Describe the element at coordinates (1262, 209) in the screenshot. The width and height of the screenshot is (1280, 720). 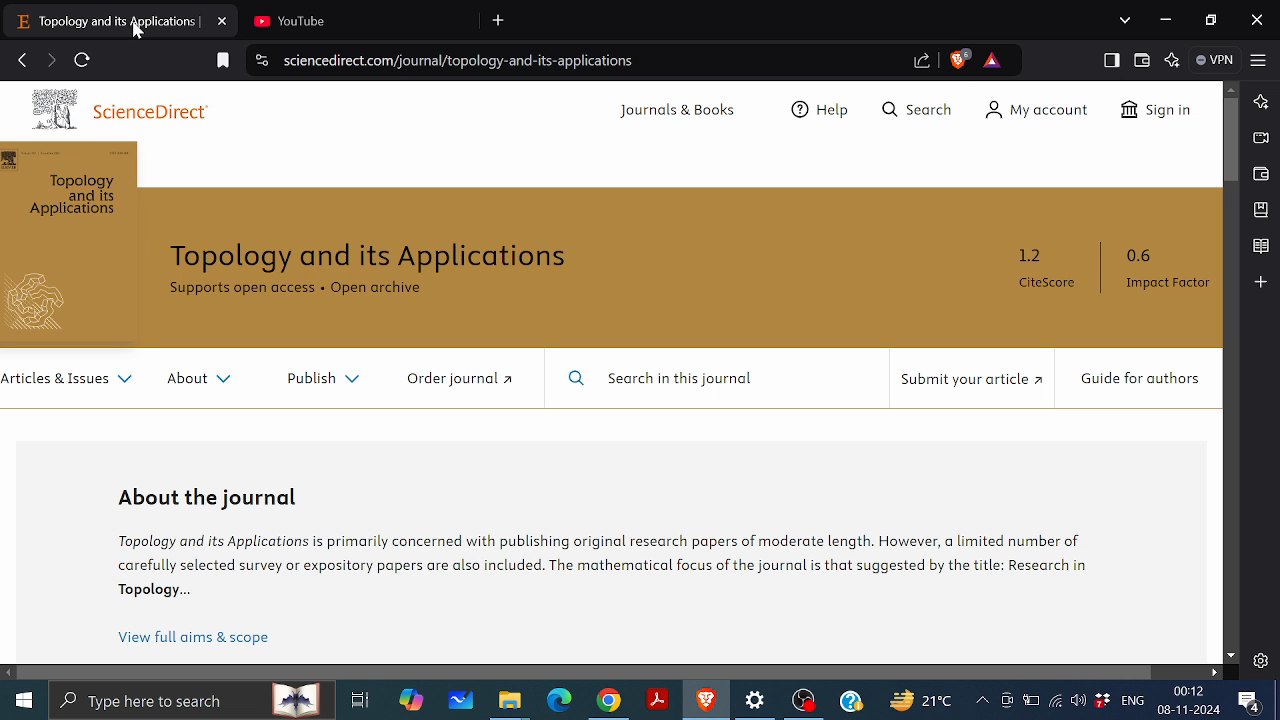
I see `Bookmarks` at that location.